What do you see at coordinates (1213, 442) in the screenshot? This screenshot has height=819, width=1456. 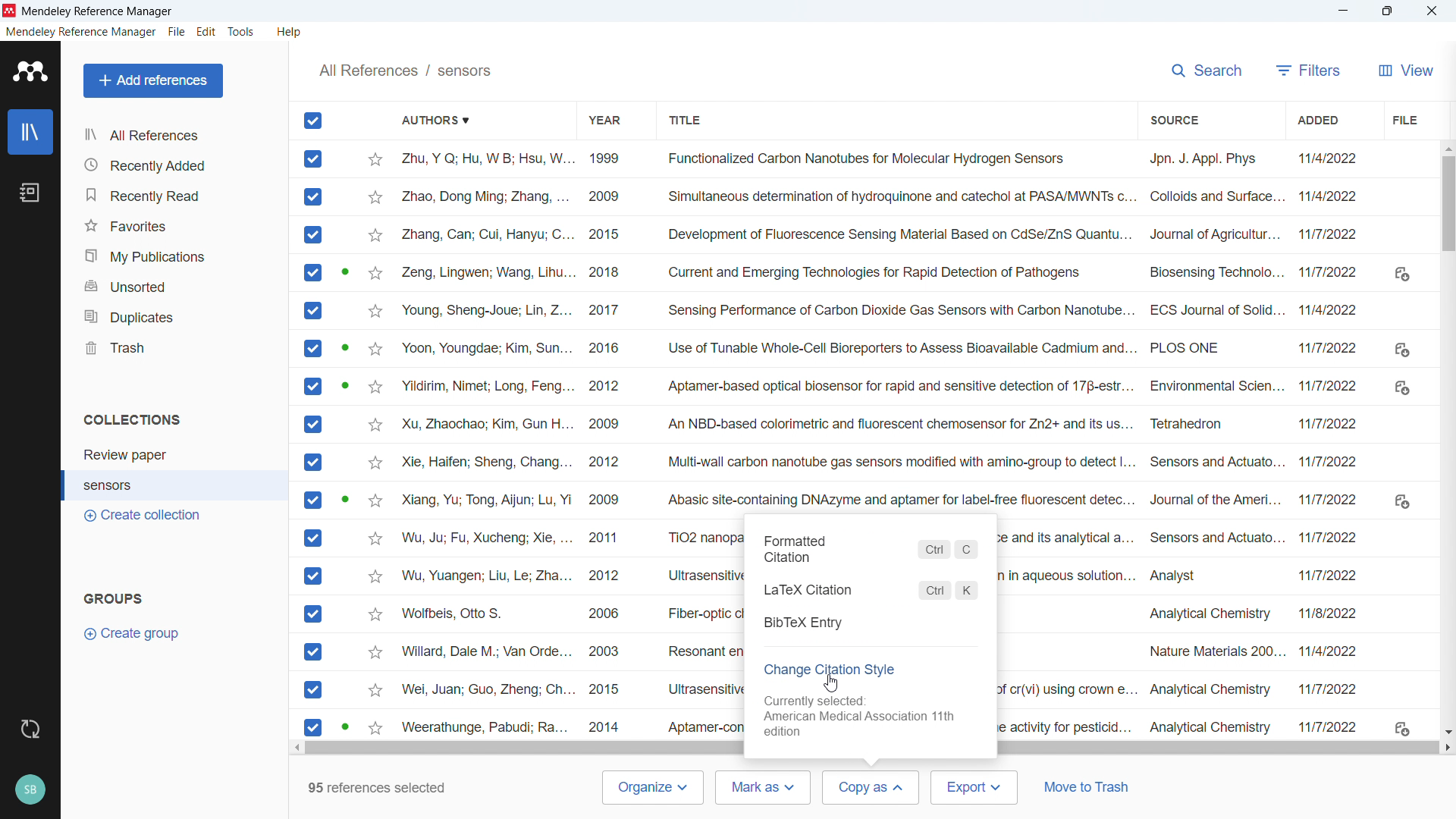 I see `Source of individual entries ` at bounding box center [1213, 442].